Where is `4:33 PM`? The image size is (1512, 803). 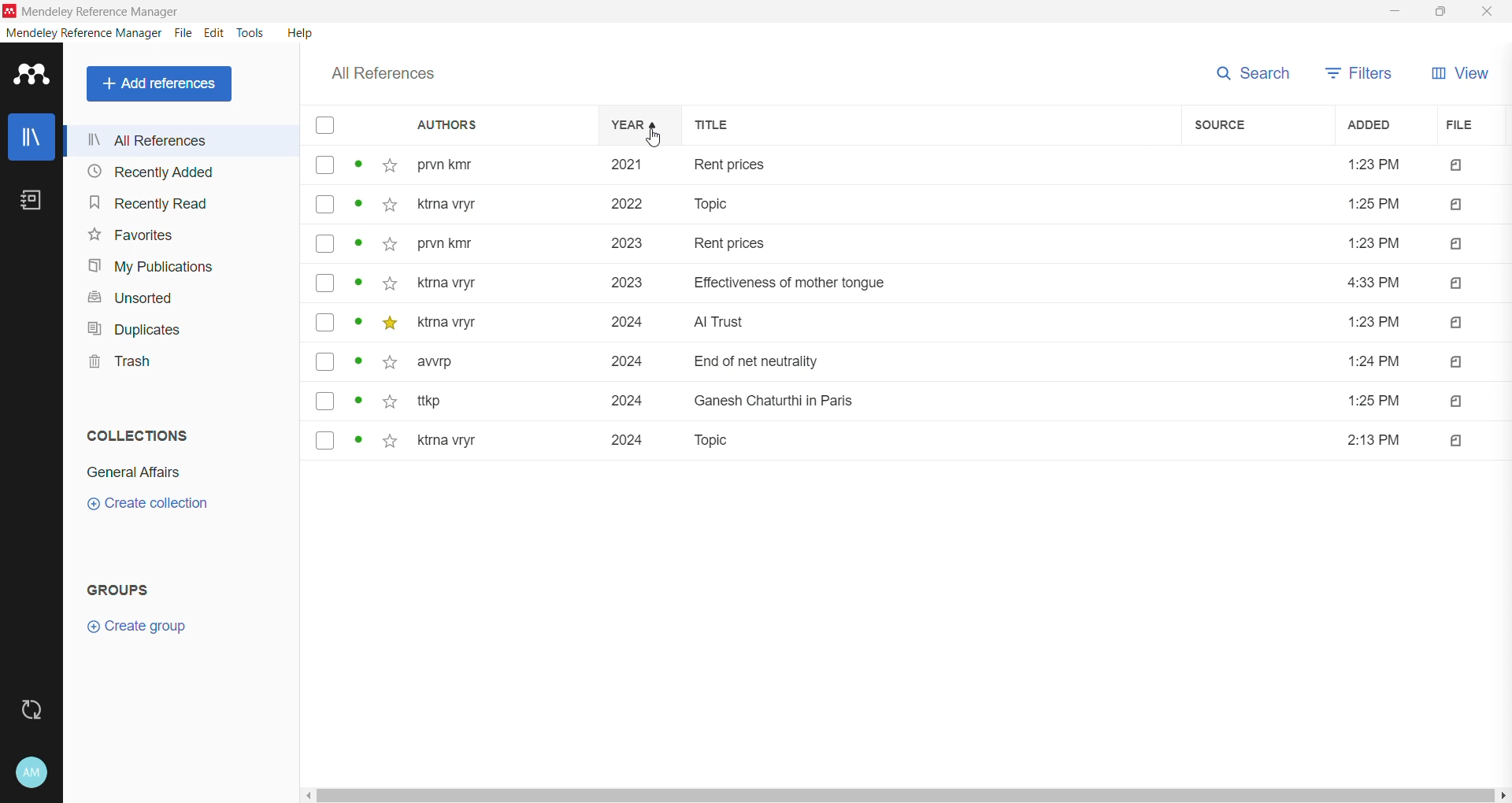
4:33 PM is located at coordinates (1377, 282).